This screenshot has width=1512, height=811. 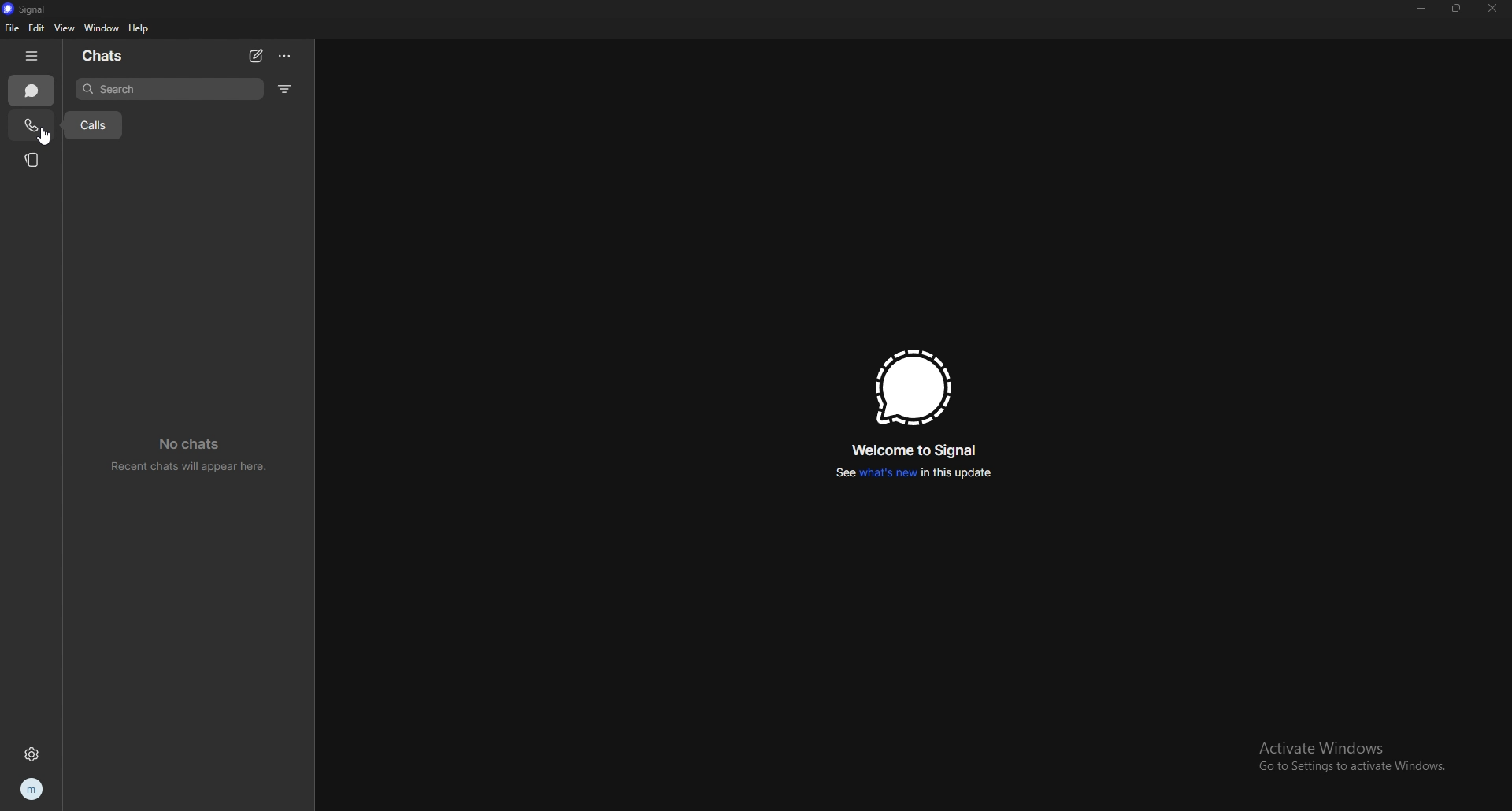 What do you see at coordinates (192, 455) in the screenshot?
I see `no chats recent chats will appear here` at bounding box center [192, 455].